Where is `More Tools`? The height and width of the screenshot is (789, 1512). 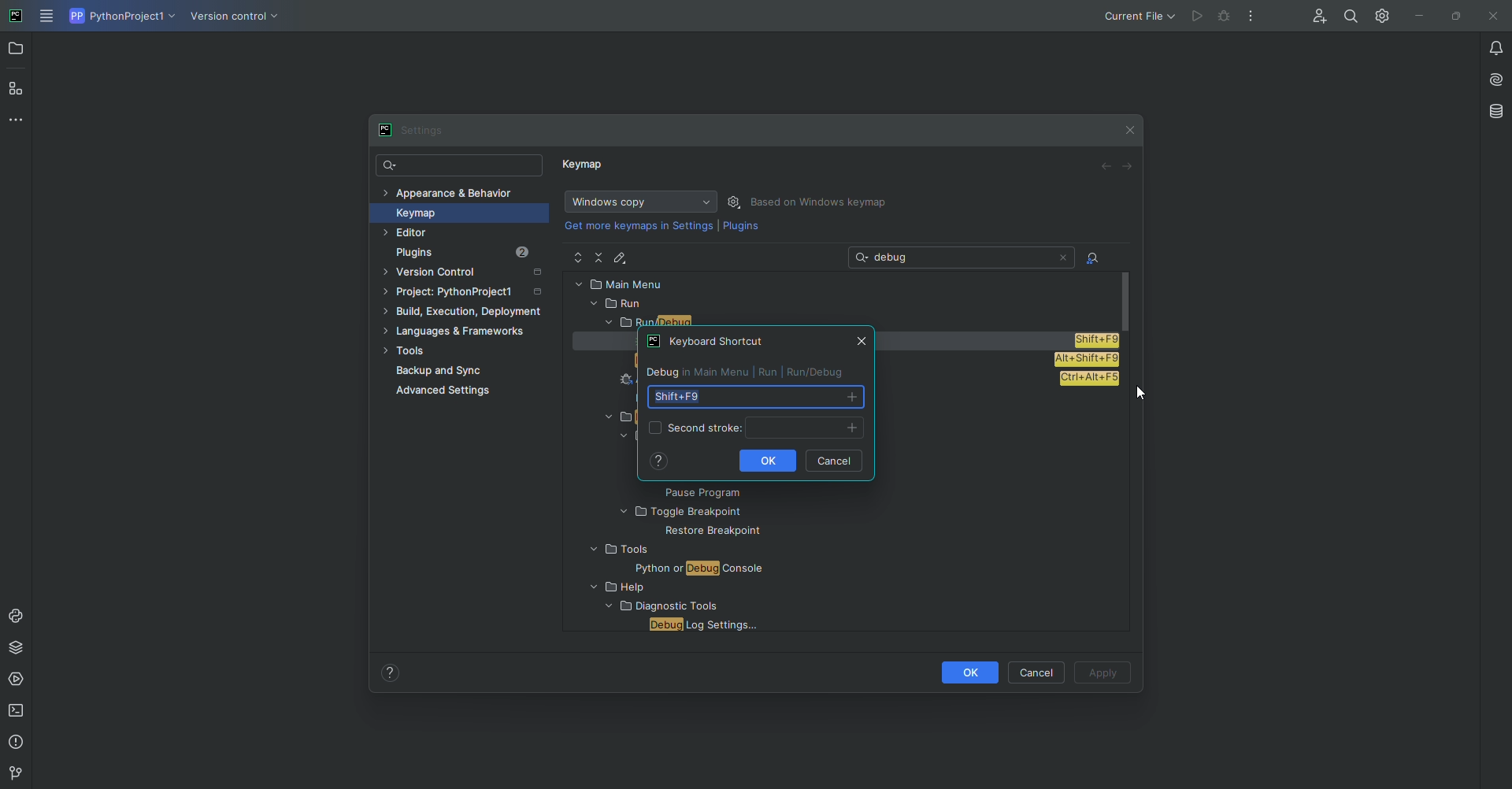
More Tools is located at coordinates (20, 119).